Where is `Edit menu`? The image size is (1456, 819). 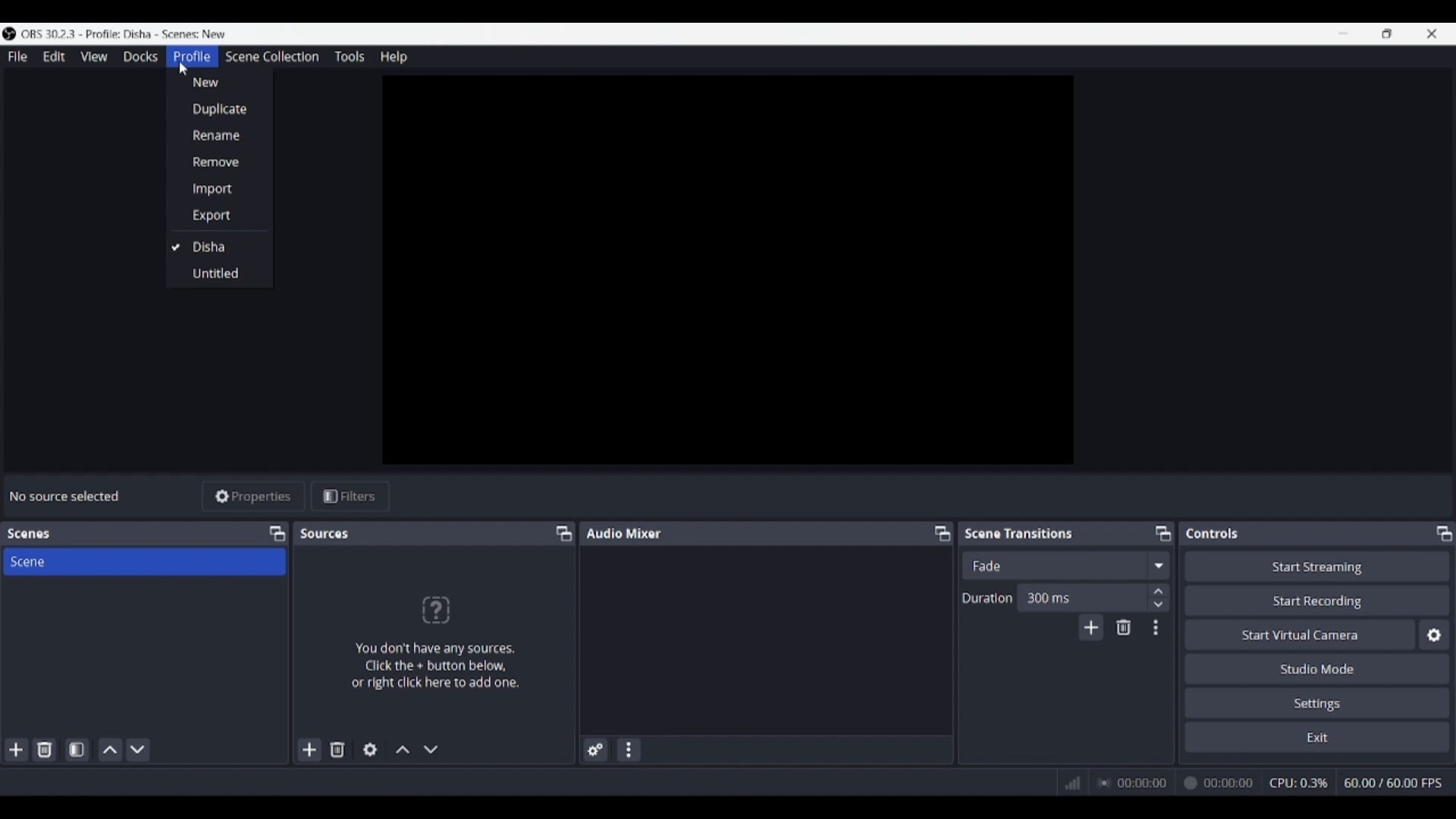 Edit menu is located at coordinates (53, 57).